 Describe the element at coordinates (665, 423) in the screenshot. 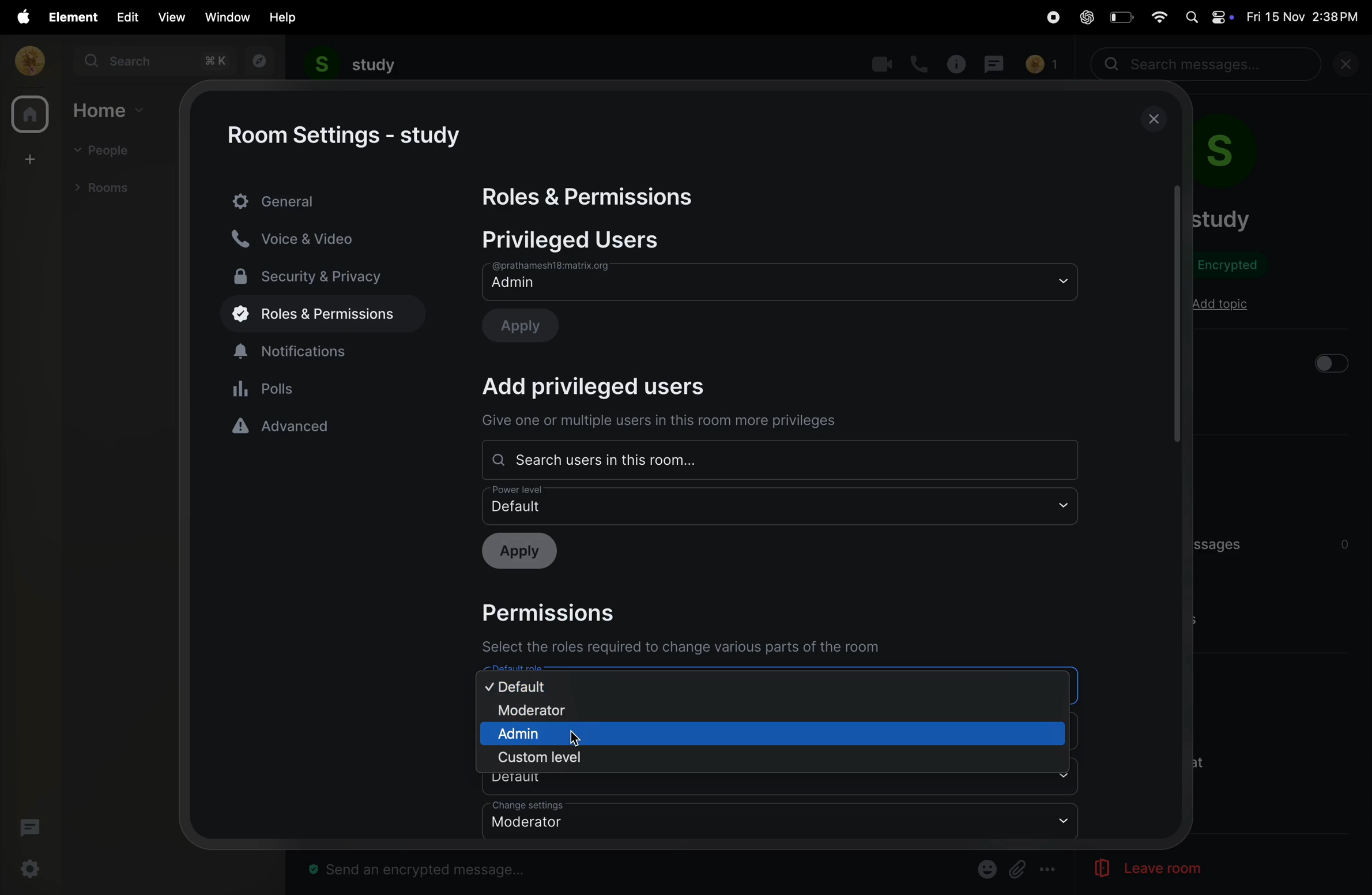

I see `give one or more multiple users` at that location.